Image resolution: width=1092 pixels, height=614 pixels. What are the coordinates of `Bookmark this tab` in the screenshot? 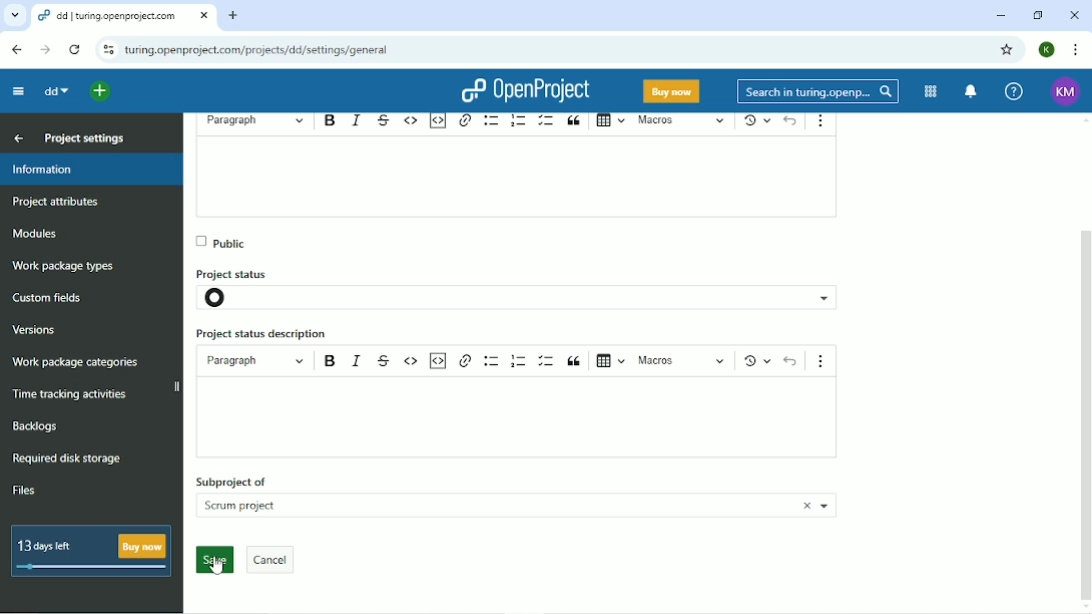 It's located at (1007, 50).